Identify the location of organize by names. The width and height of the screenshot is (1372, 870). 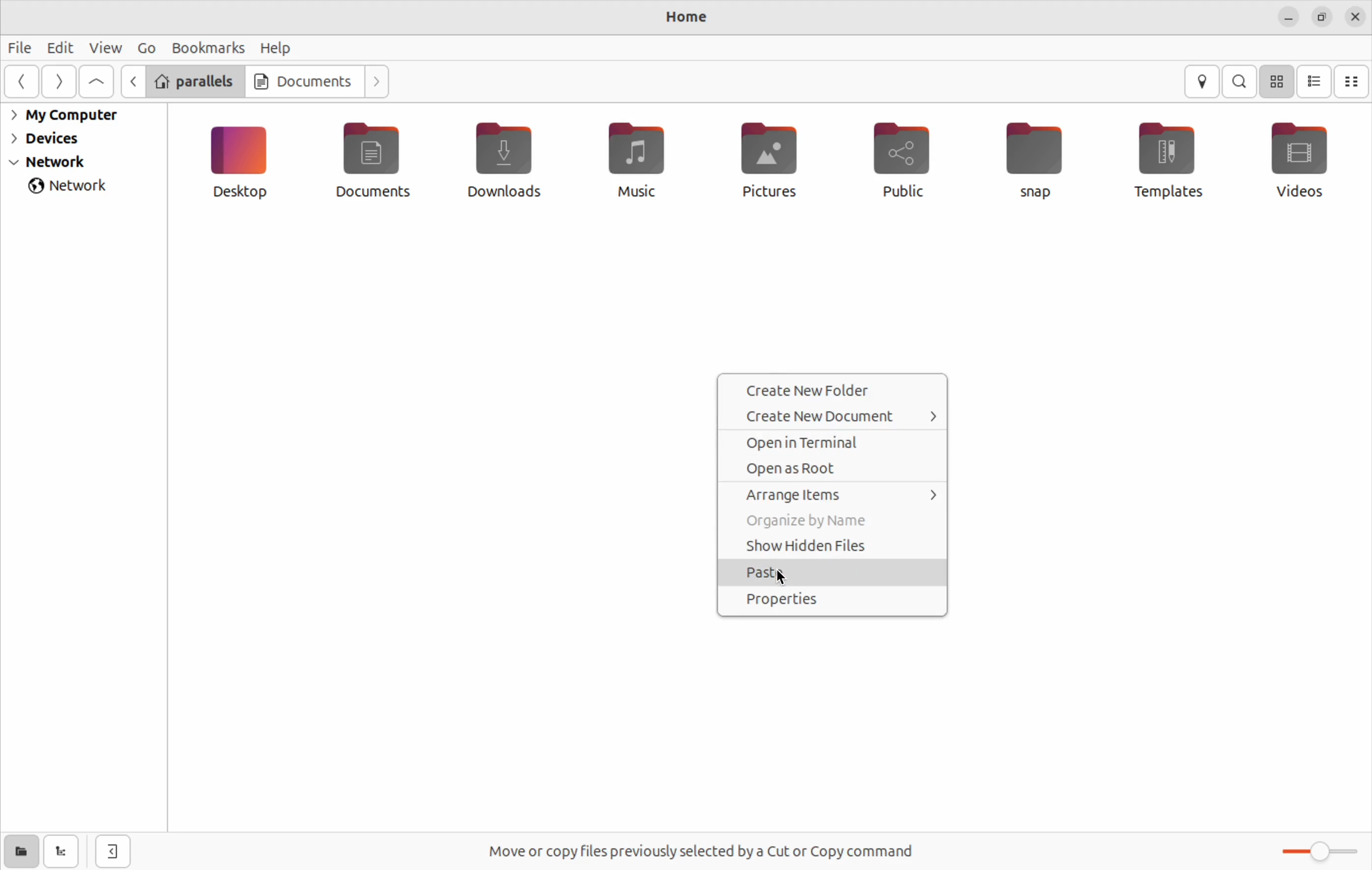
(830, 521).